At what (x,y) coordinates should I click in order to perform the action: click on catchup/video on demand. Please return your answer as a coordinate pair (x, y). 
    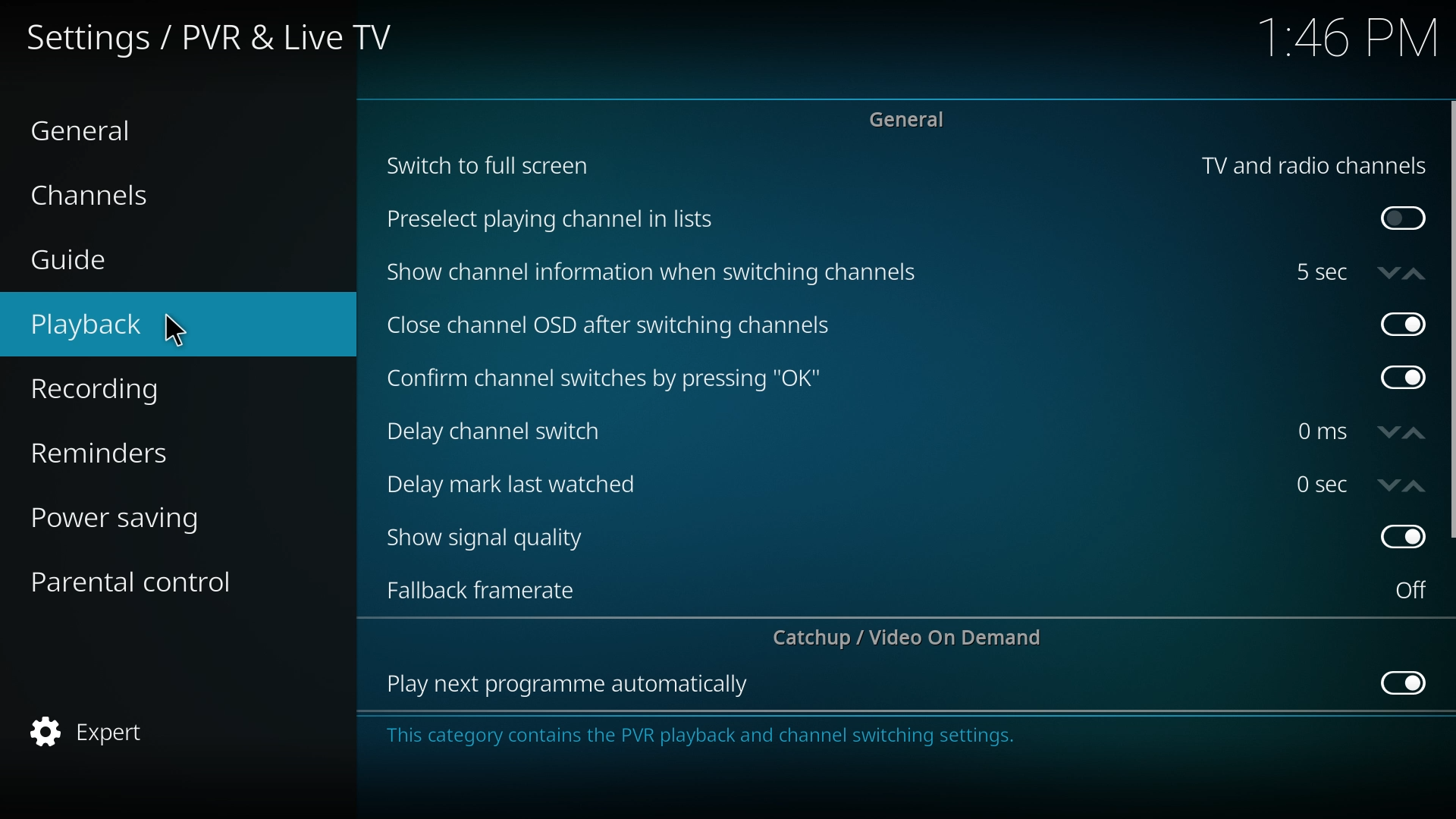
    Looking at the image, I should click on (915, 637).